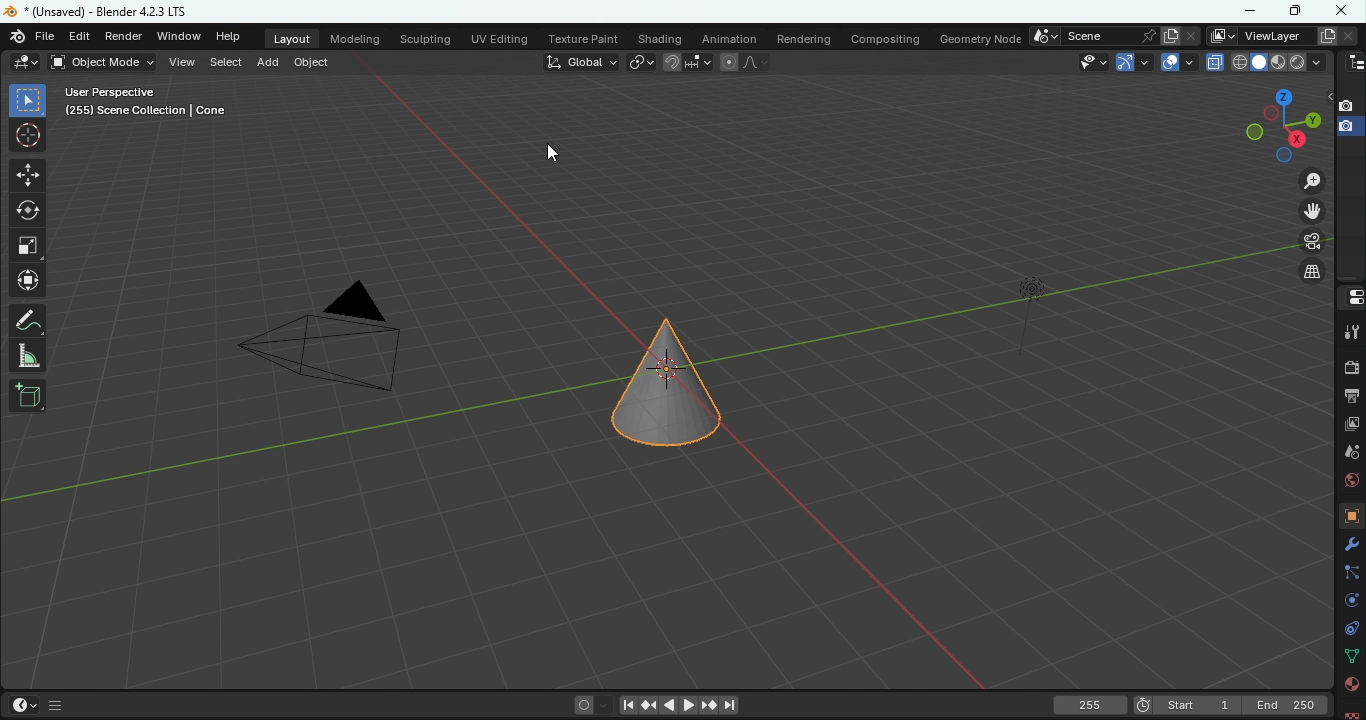 This screenshot has height=720, width=1366. Describe the element at coordinates (30, 244) in the screenshot. I see `Scale` at that location.